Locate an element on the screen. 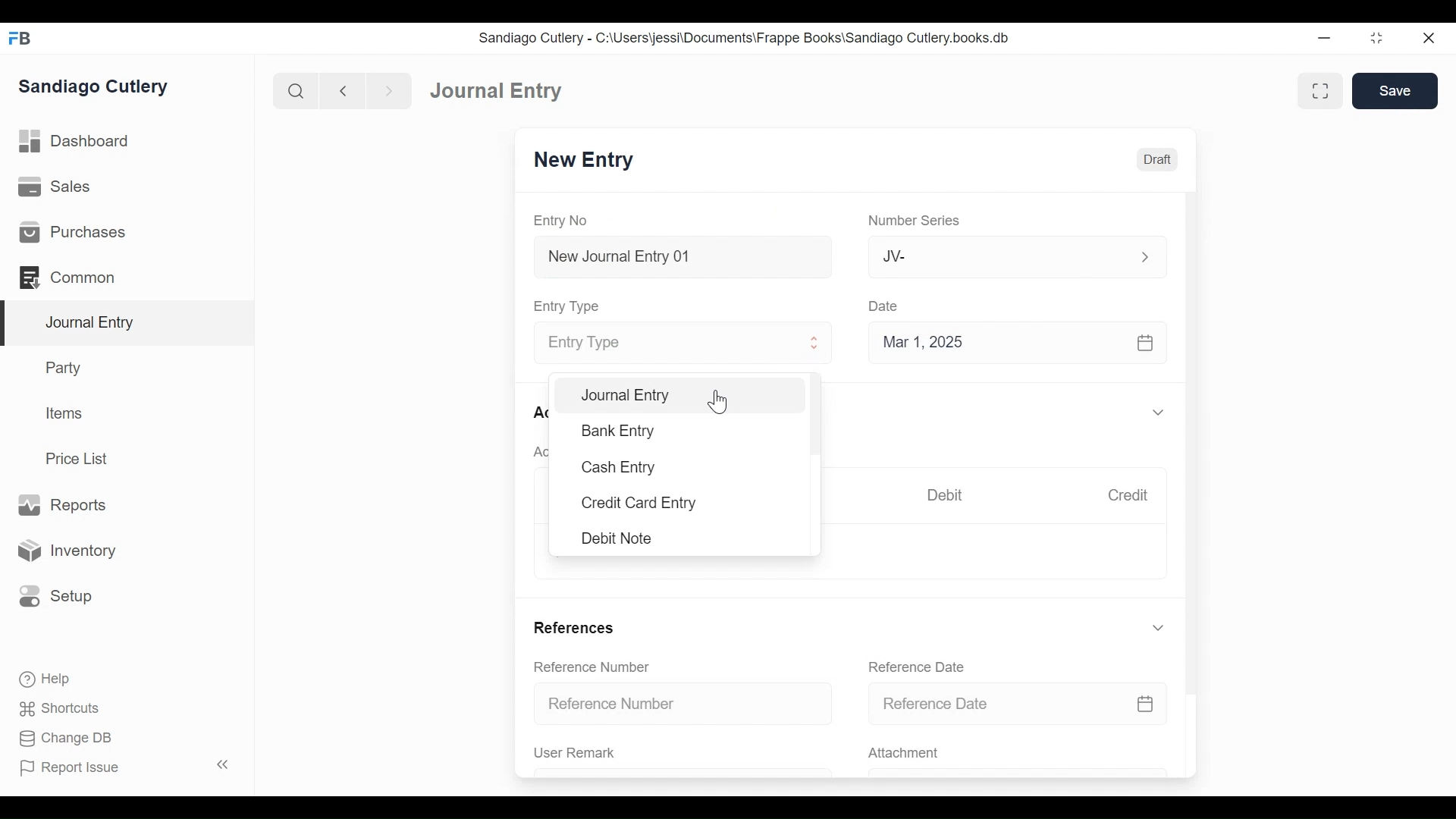 The height and width of the screenshot is (819, 1456). Reference Number is located at coordinates (680, 704).